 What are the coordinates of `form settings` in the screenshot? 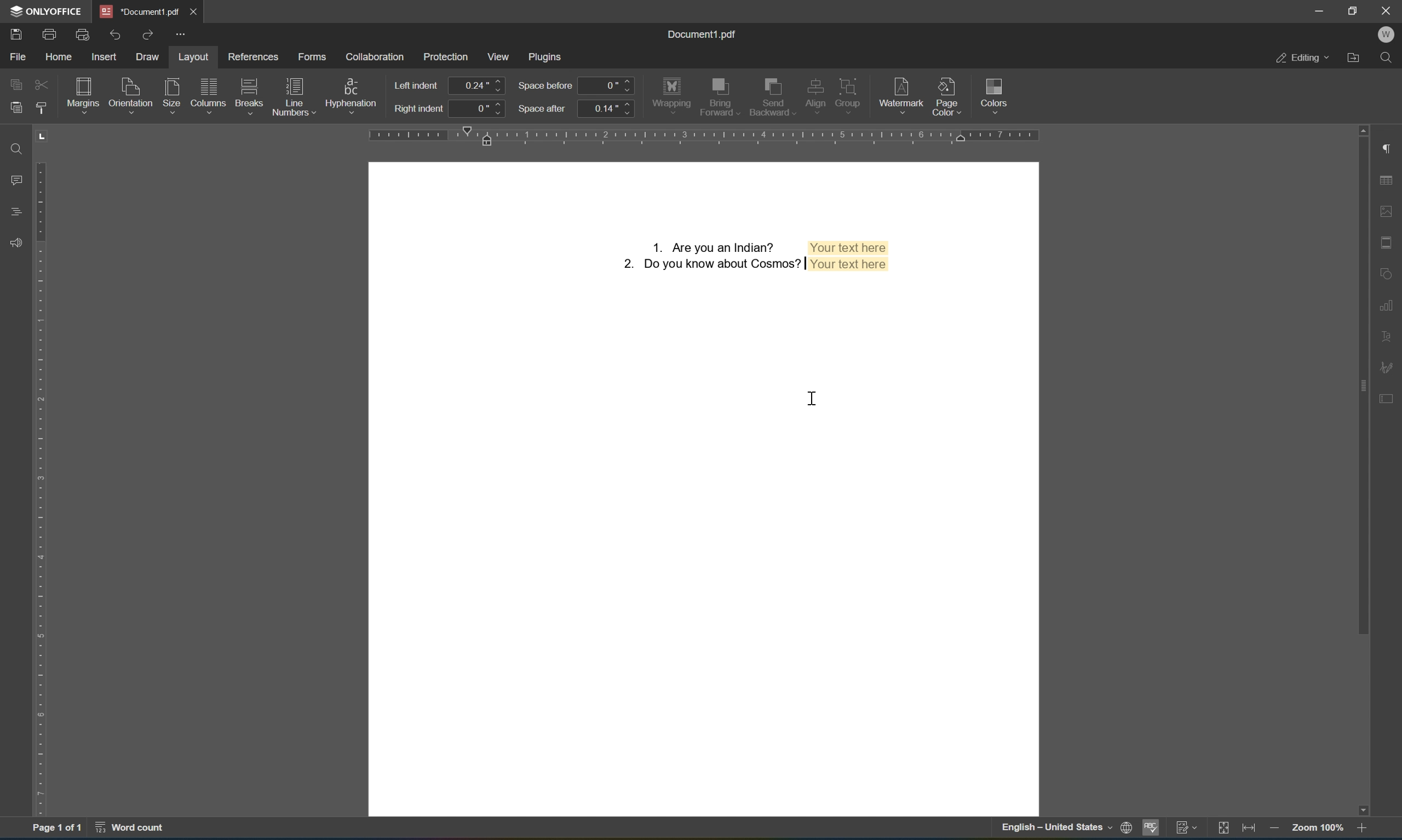 It's located at (1389, 397).